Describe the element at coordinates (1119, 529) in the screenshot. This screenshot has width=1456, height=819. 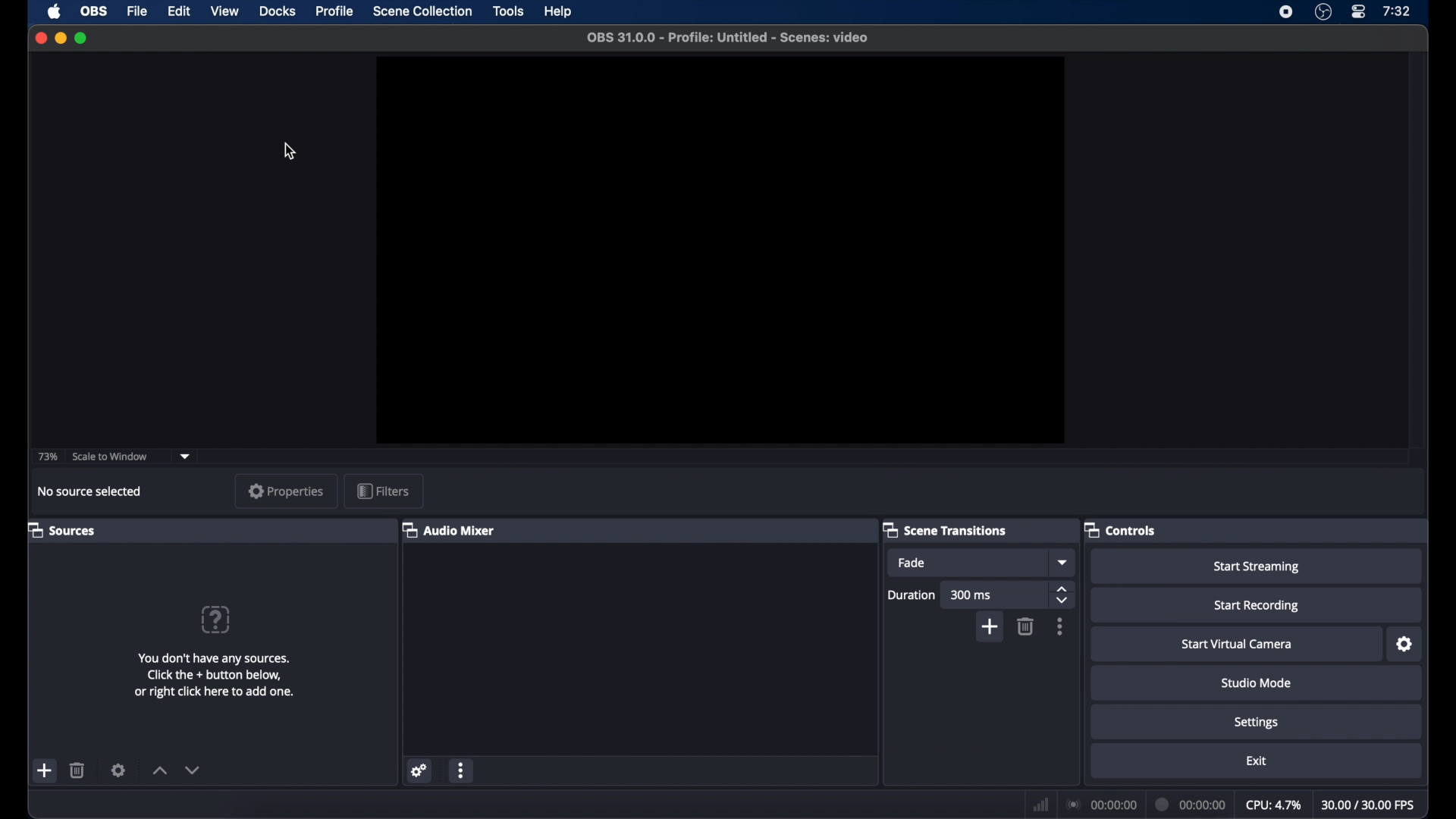
I see `controls` at that location.